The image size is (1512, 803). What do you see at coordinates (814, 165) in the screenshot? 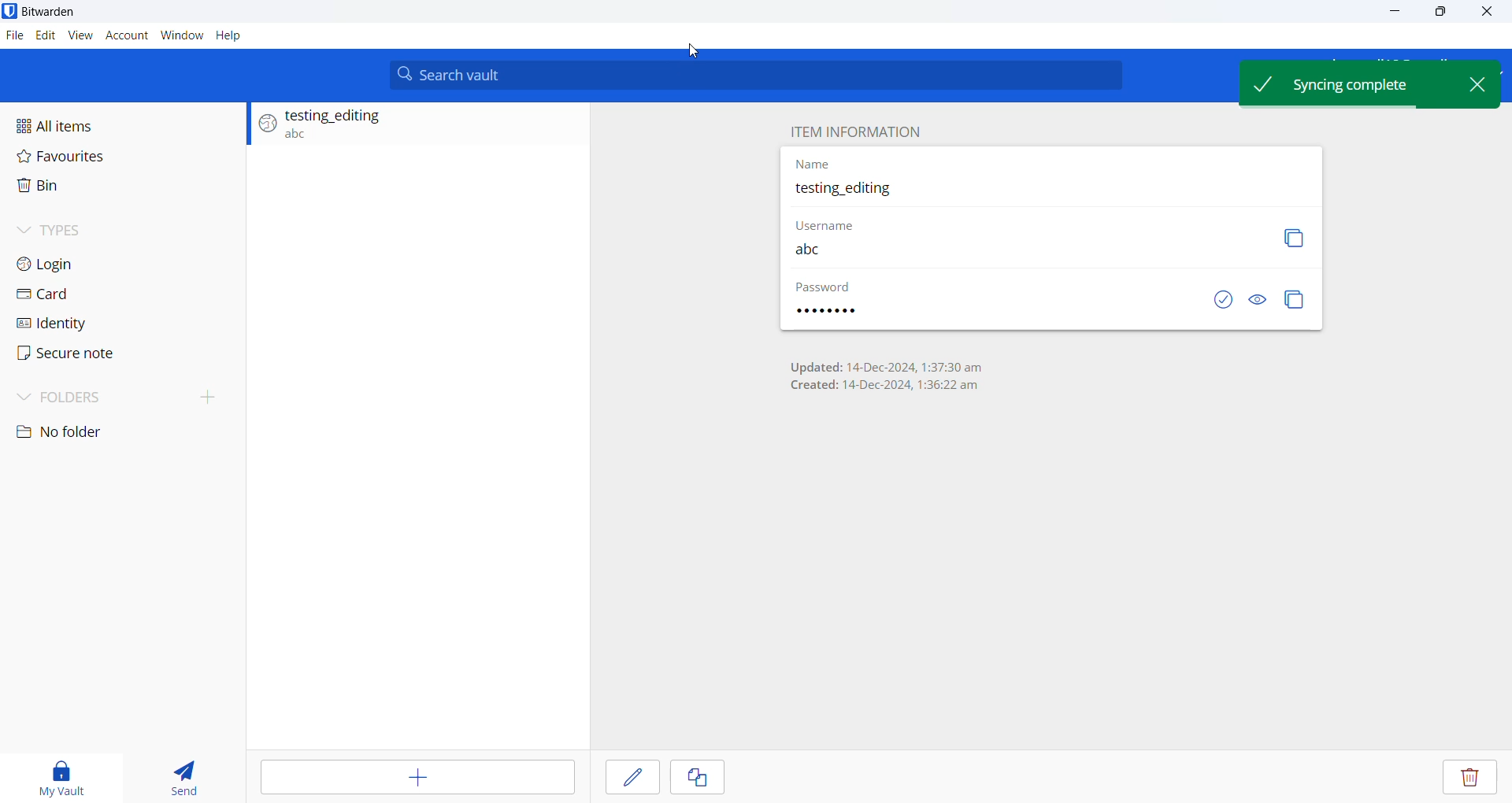
I see `Name heading` at bounding box center [814, 165].